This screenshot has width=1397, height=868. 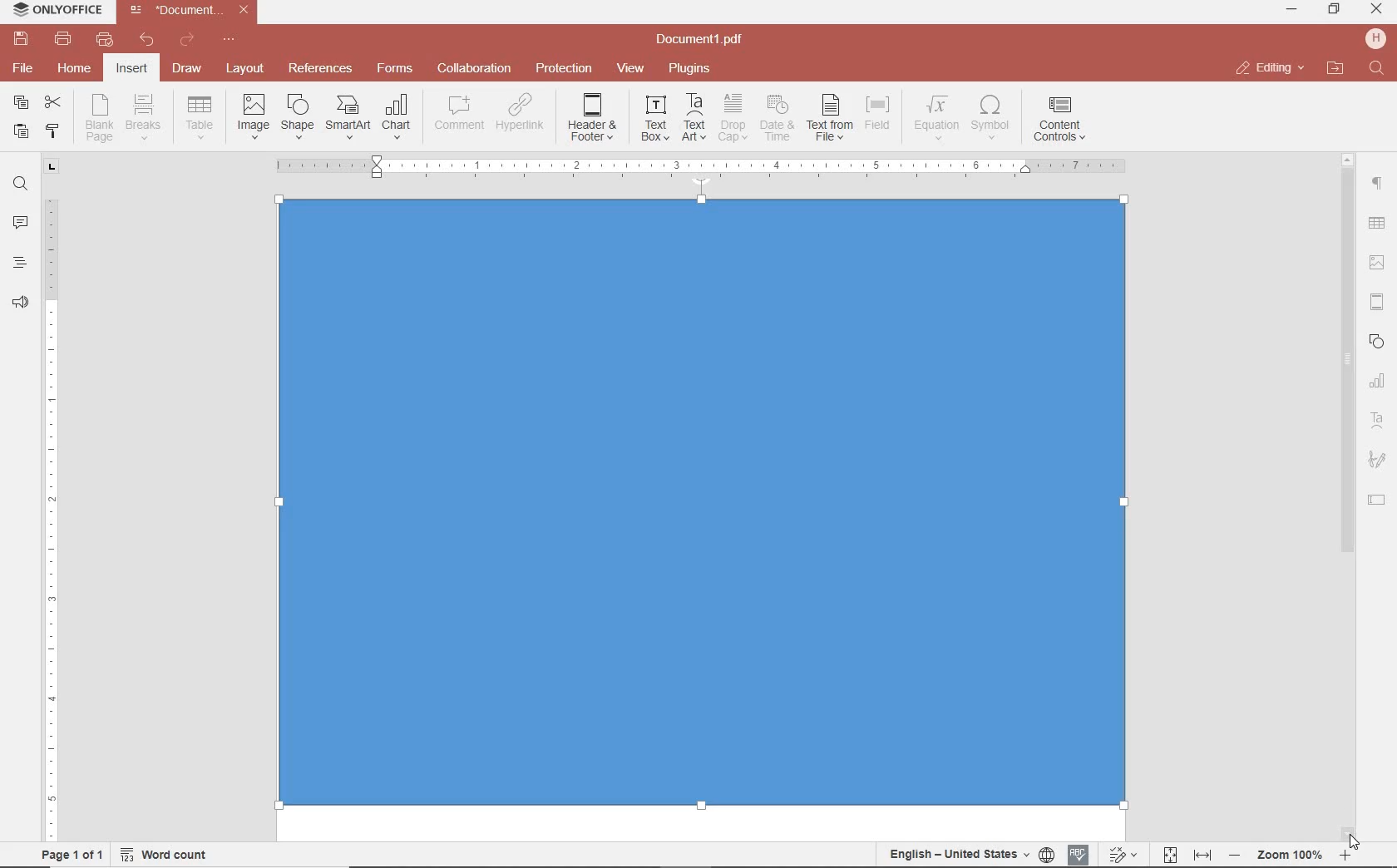 What do you see at coordinates (131, 70) in the screenshot?
I see `insert` at bounding box center [131, 70].